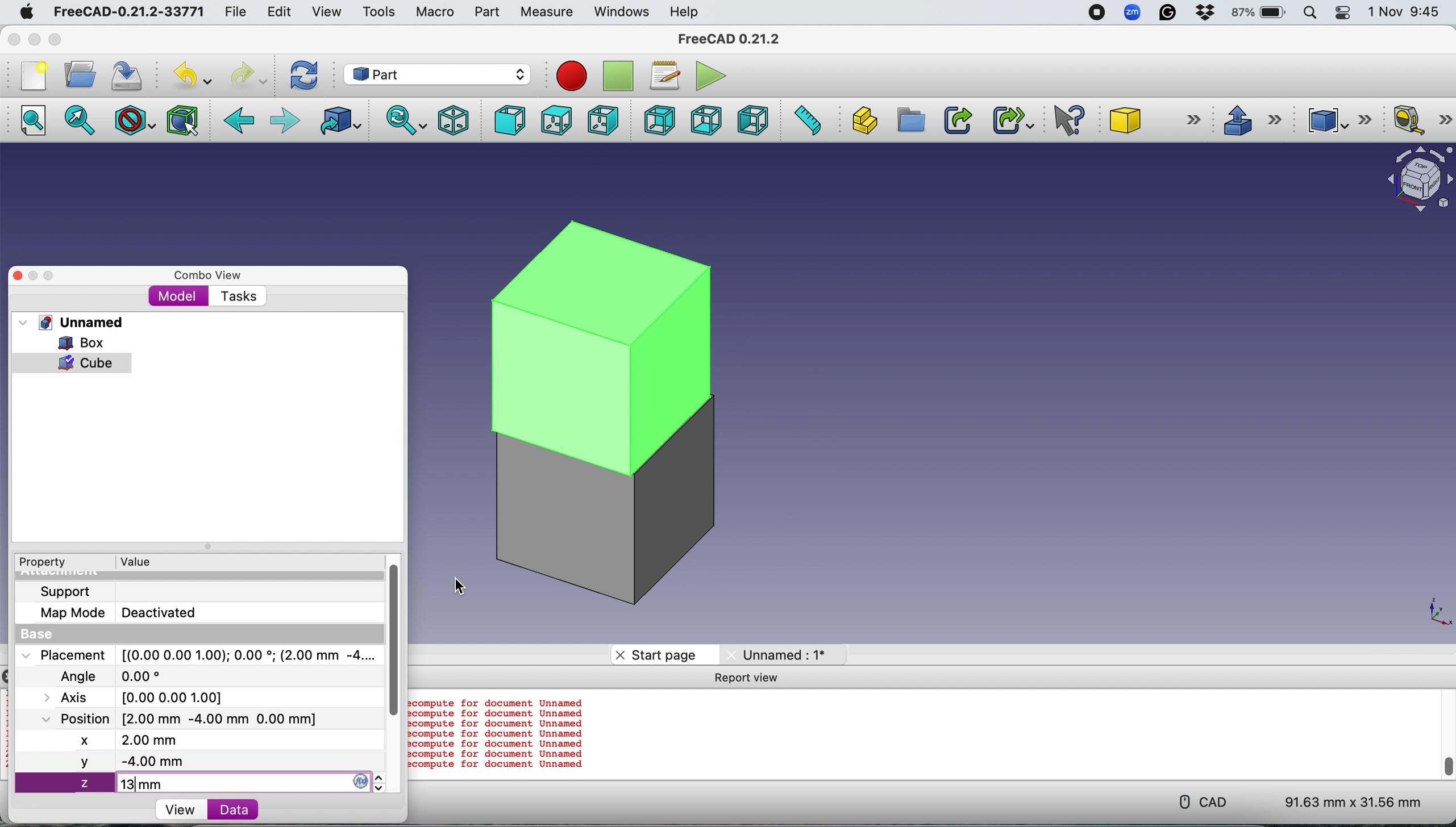 This screenshot has height=827, width=1456. What do you see at coordinates (663, 654) in the screenshot?
I see `Start page` at bounding box center [663, 654].